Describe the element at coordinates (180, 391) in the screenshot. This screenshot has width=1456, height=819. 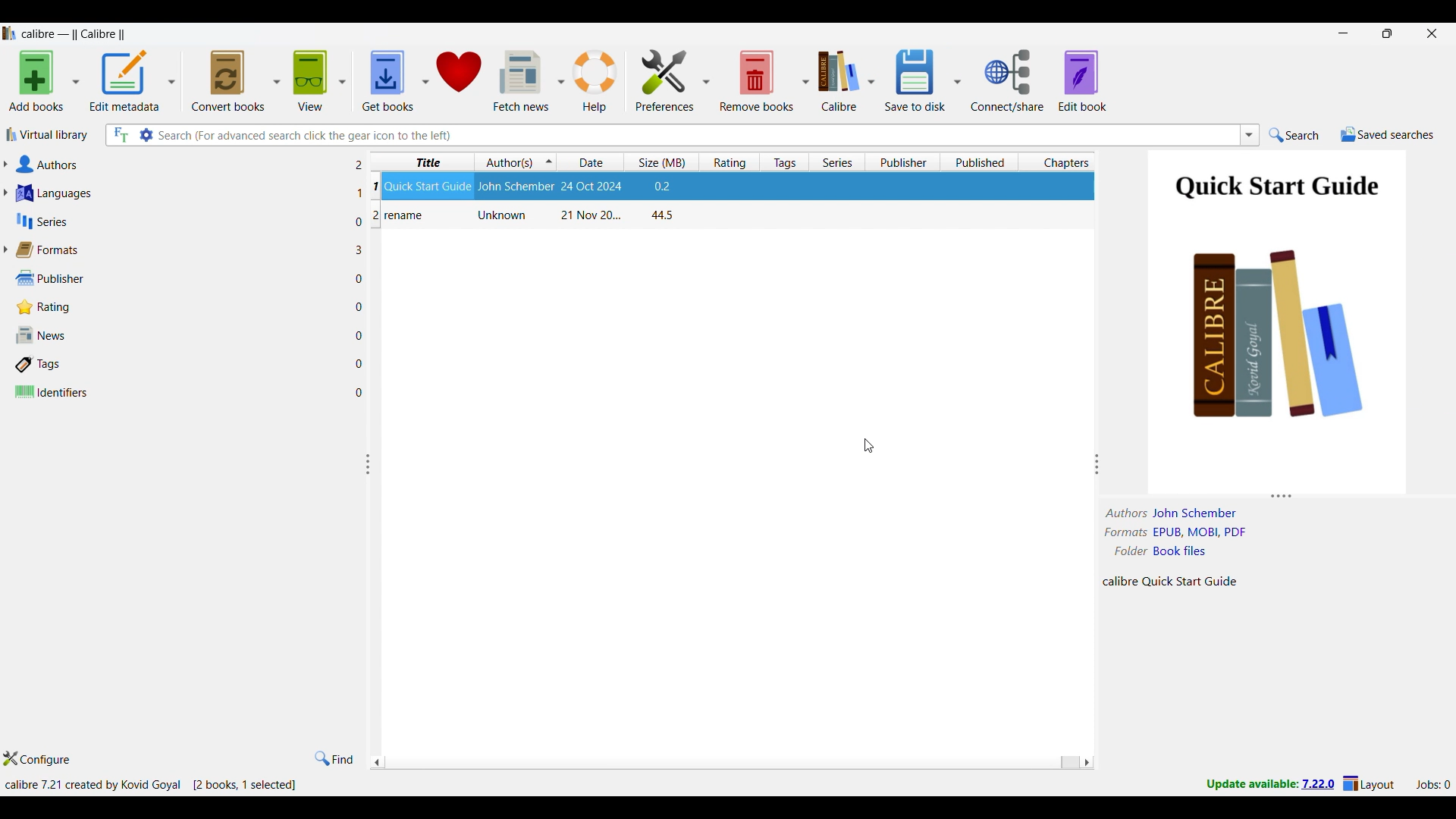
I see `Identifiers` at that location.